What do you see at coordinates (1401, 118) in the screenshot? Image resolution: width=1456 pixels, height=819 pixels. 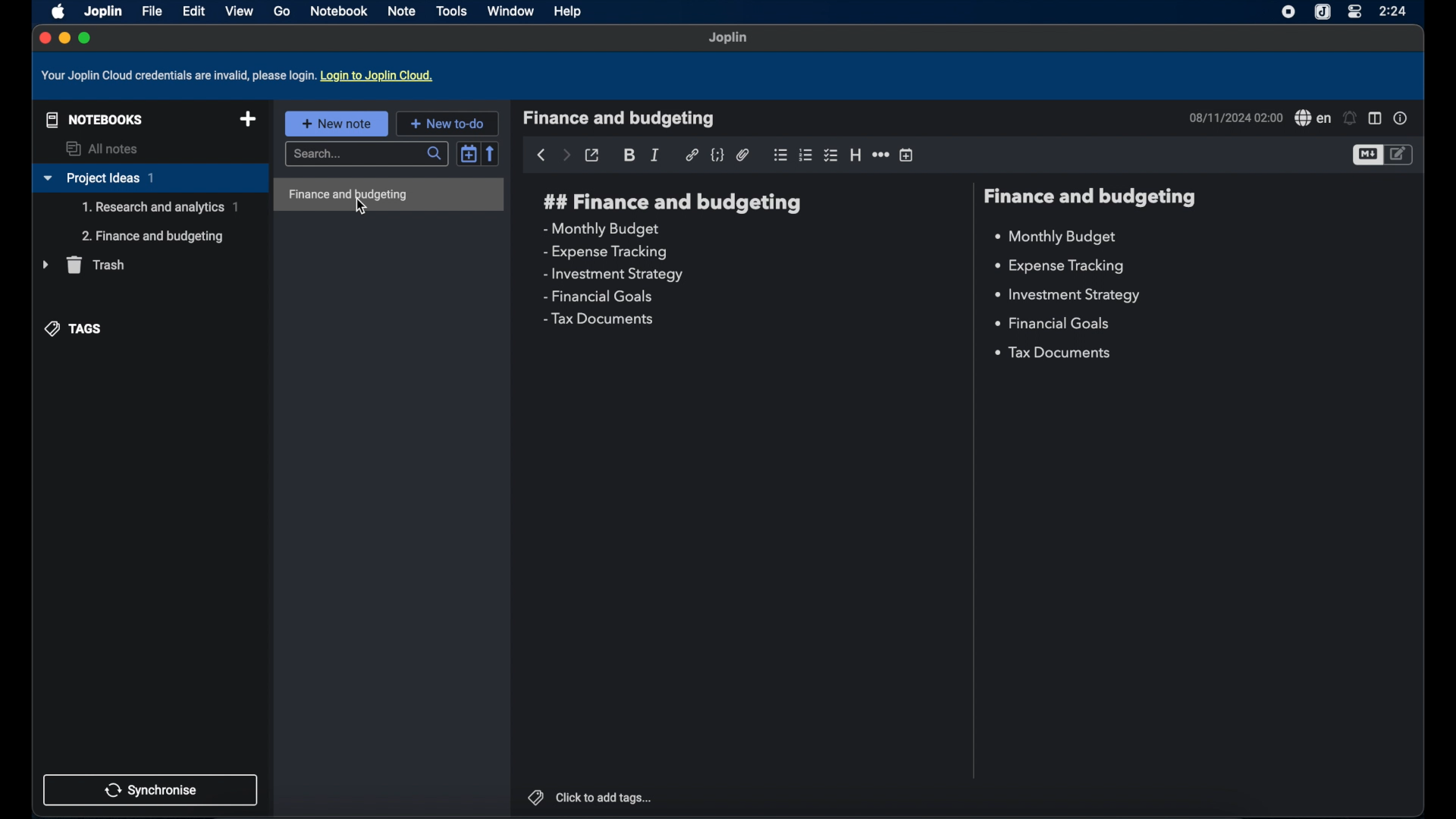 I see `note properties` at bounding box center [1401, 118].